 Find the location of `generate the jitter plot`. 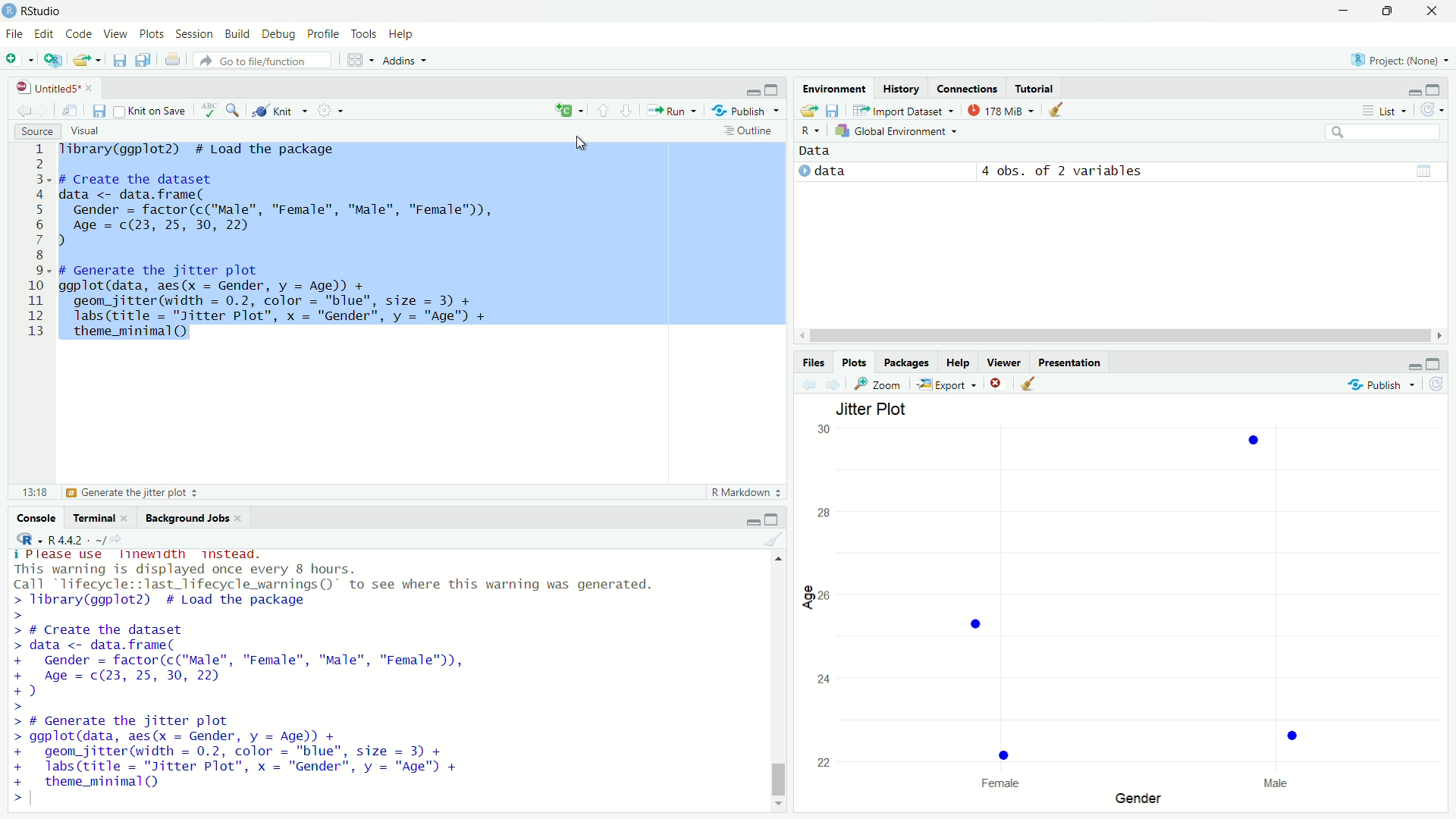

generate the jitter plot is located at coordinates (136, 493).